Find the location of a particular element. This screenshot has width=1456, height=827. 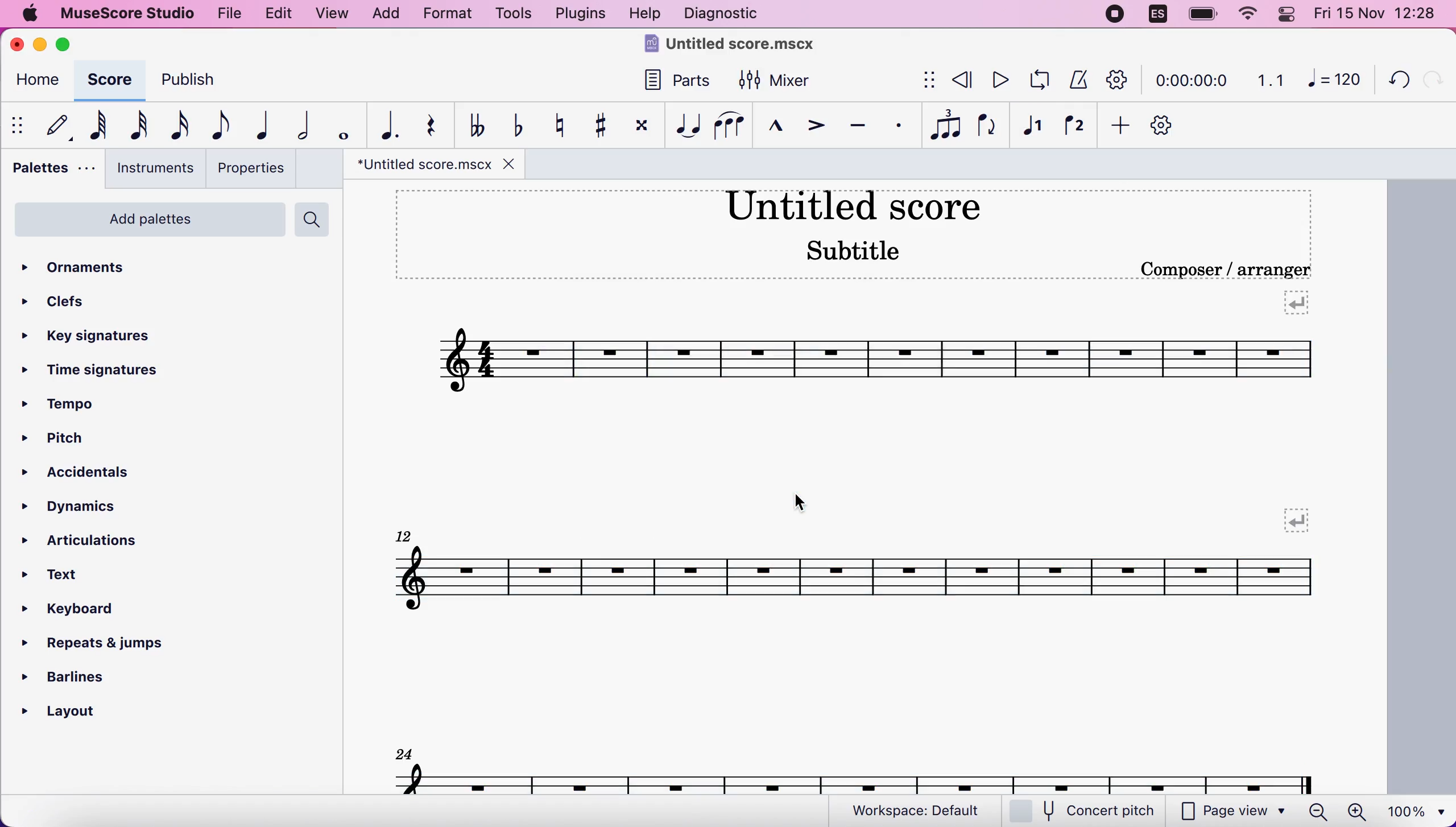

augmentation dot is located at coordinates (383, 126).